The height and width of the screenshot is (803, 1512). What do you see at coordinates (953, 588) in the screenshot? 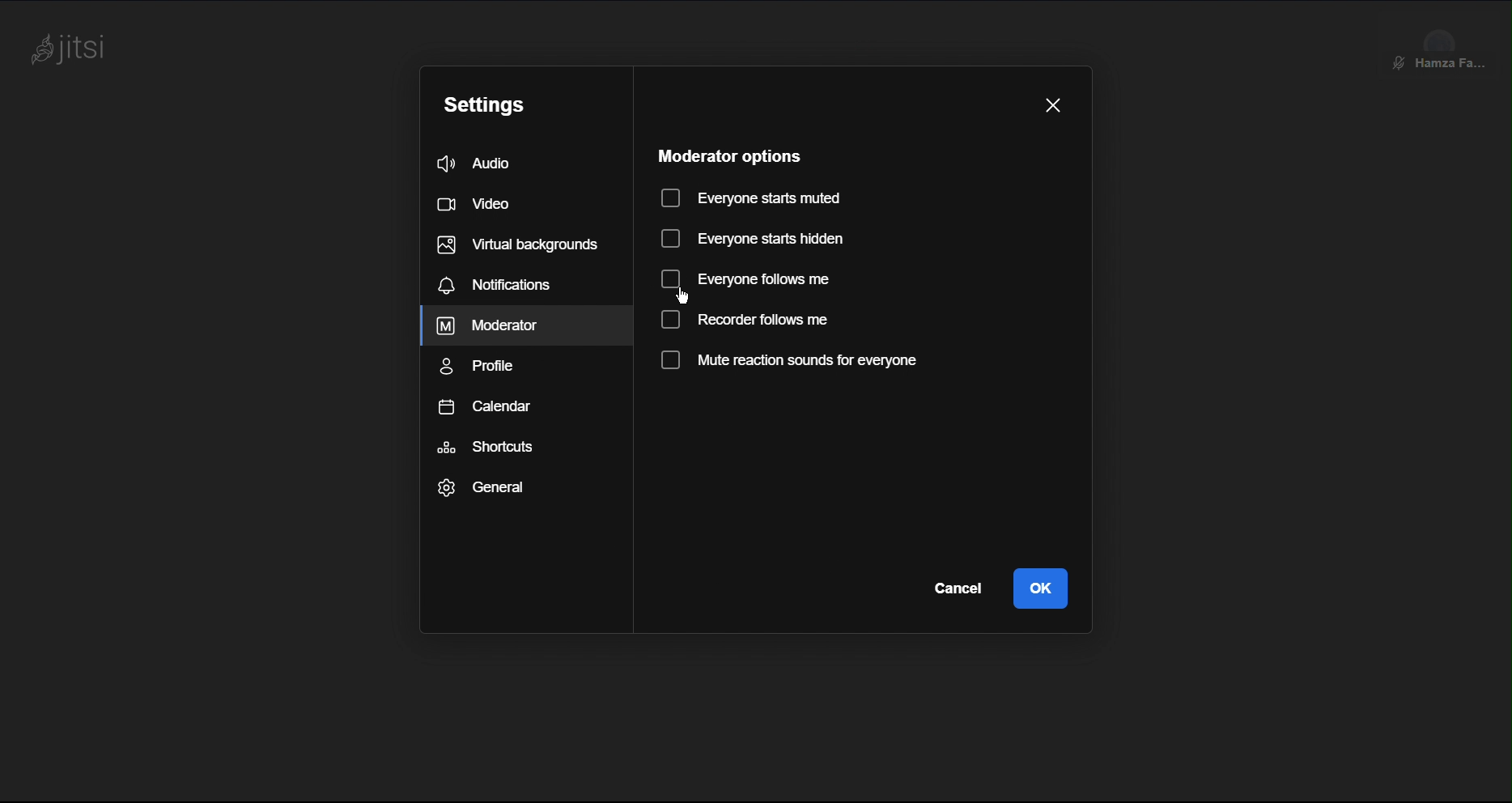
I see `Cancel` at bounding box center [953, 588].